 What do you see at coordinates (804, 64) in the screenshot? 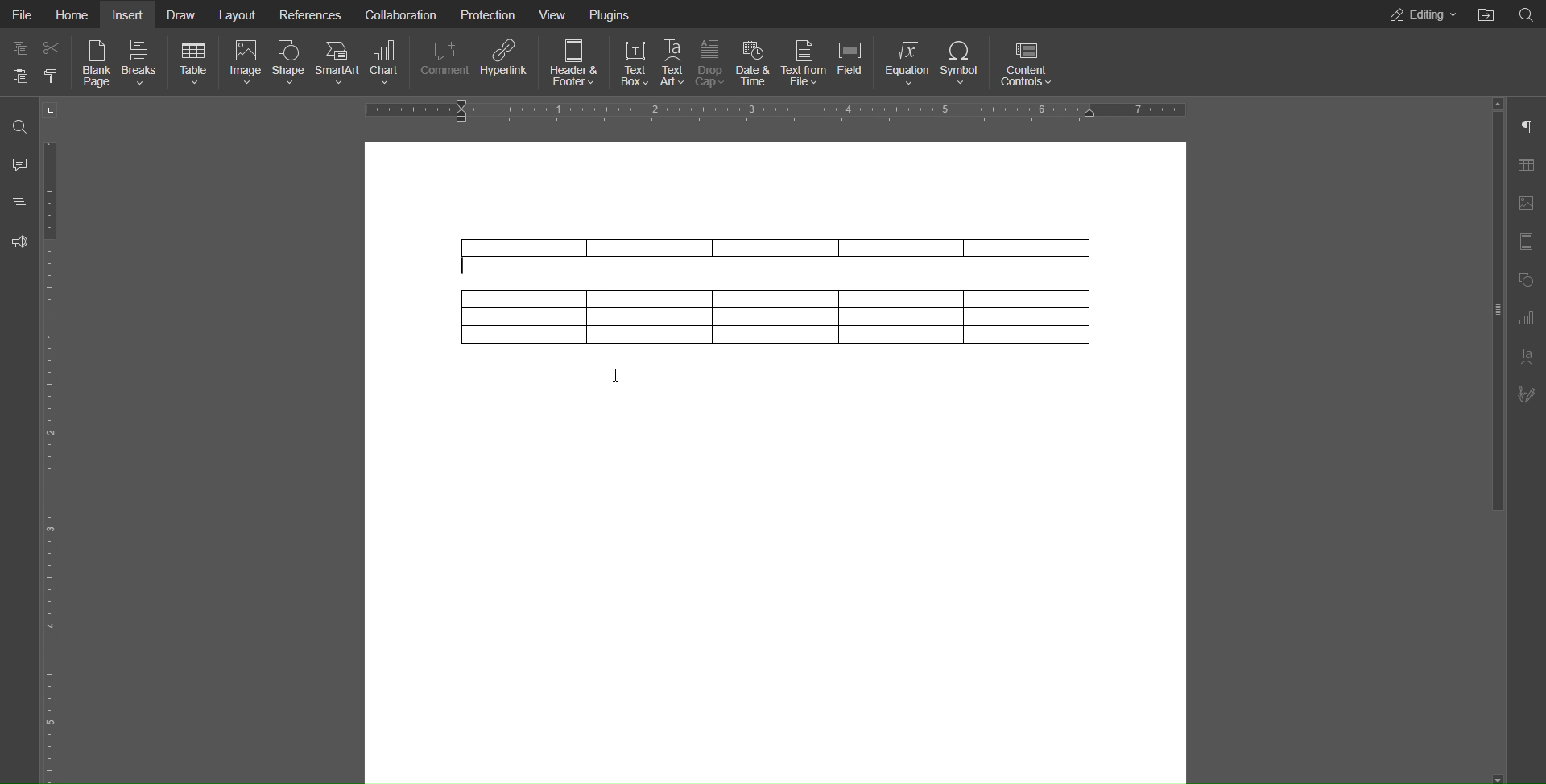
I see `Text from File` at bounding box center [804, 64].